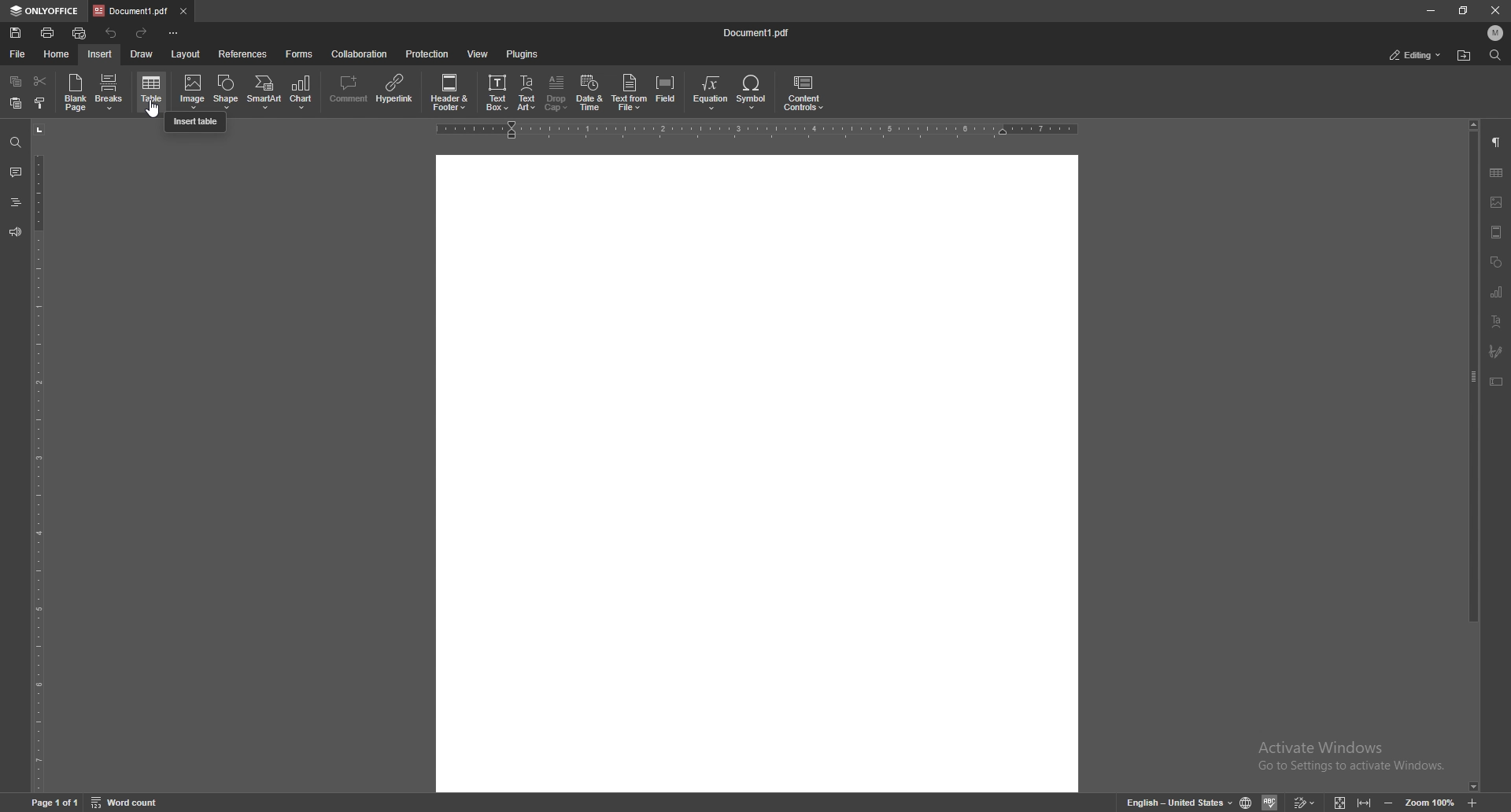 The height and width of the screenshot is (812, 1511). What do you see at coordinates (1429, 801) in the screenshot?
I see `zoom` at bounding box center [1429, 801].